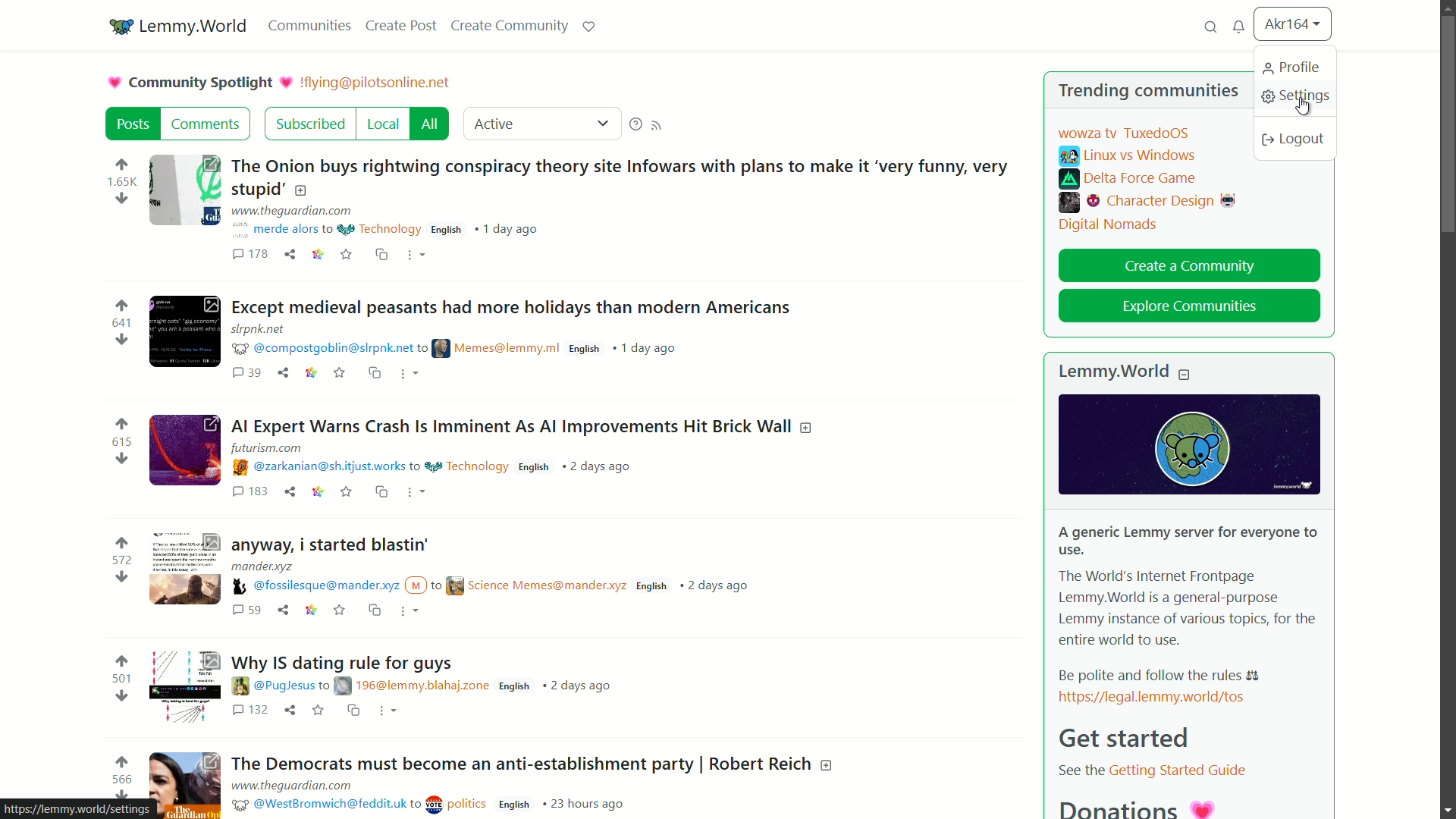 The image size is (1456, 819). I want to click on save, so click(339, 370).